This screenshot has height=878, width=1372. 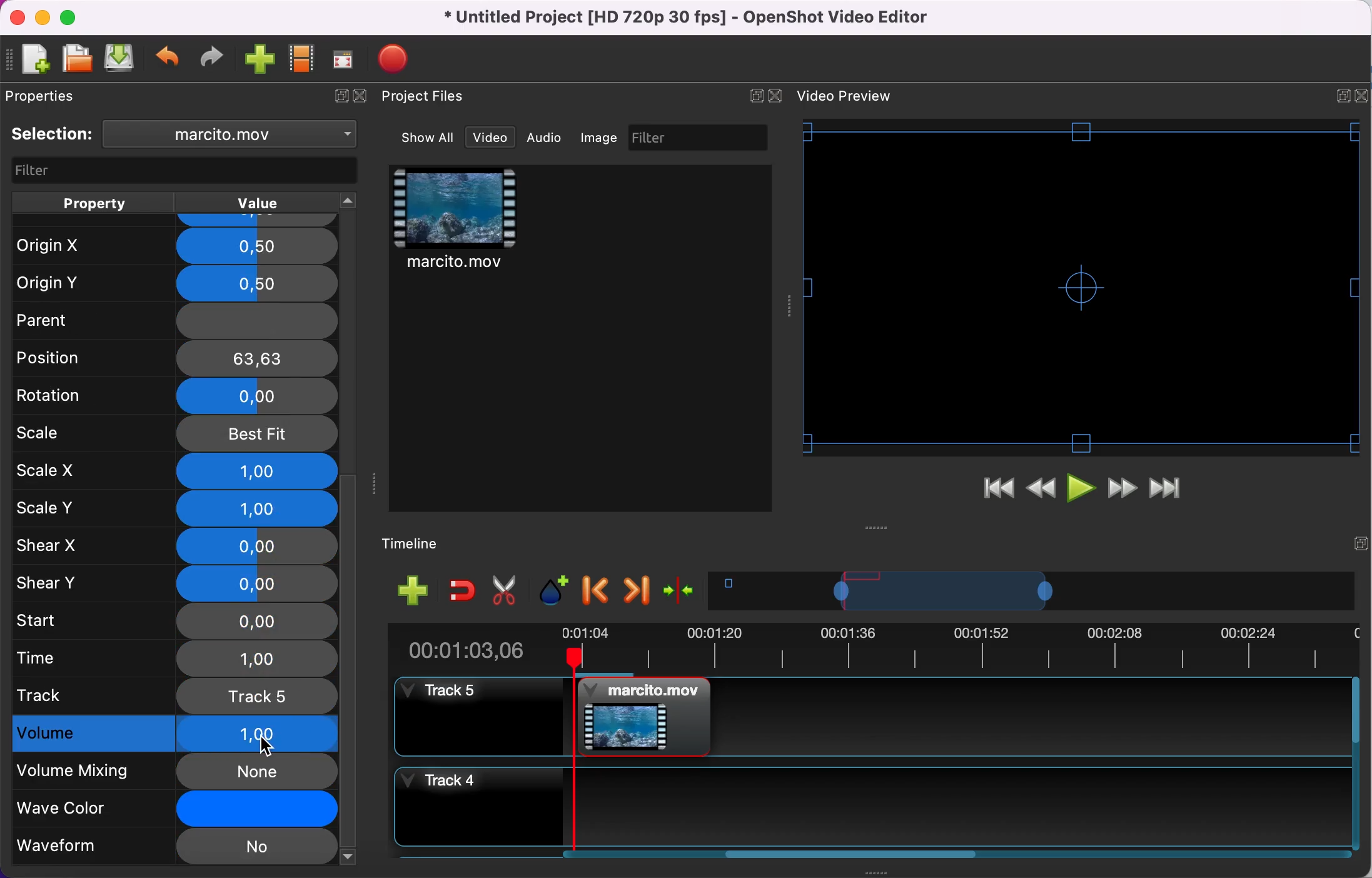 What do you see at coordinates (266, 745) in the screenshot?
I see `cursor` at bounding box center [266, 745].